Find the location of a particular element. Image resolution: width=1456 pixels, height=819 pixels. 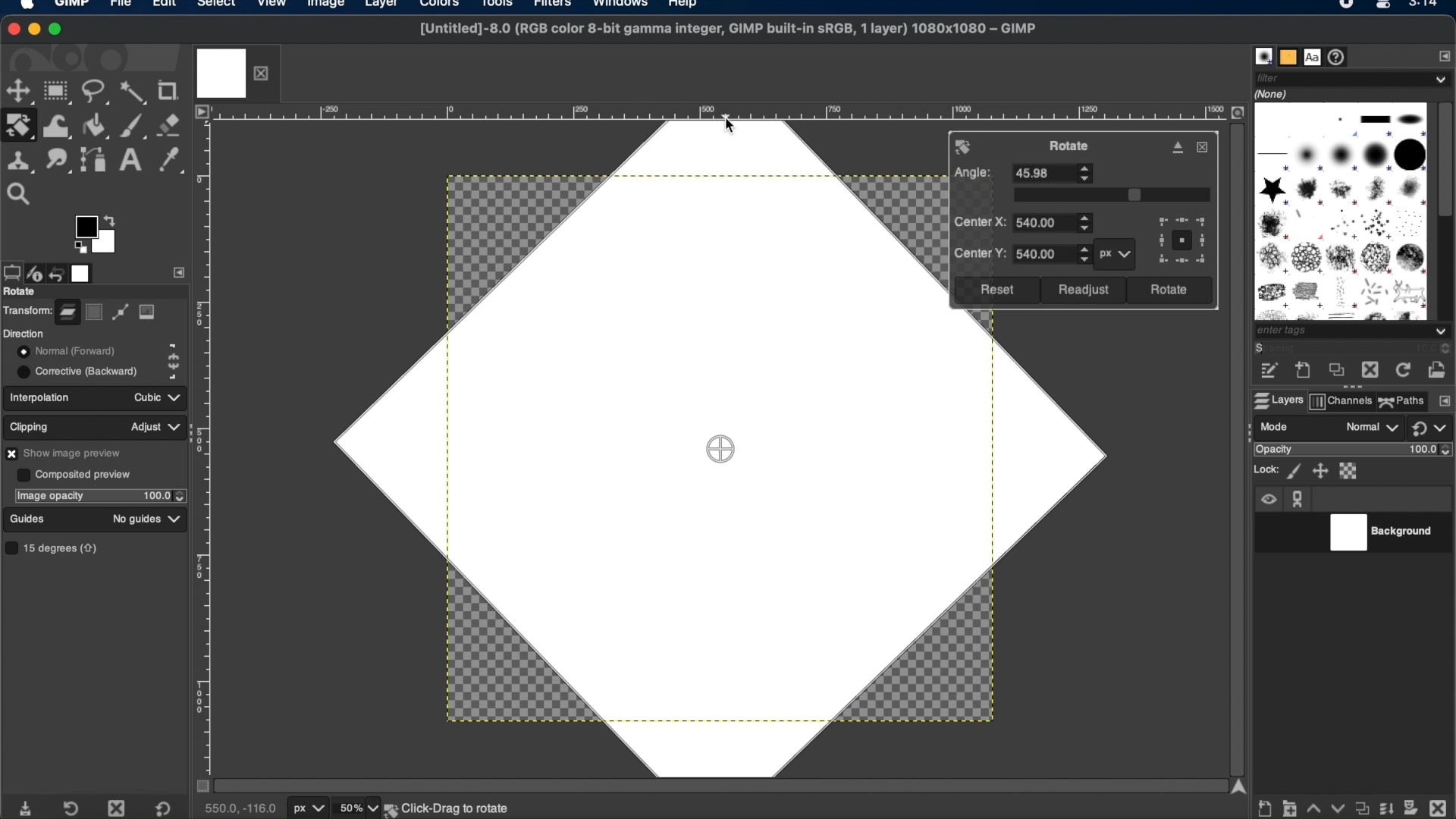

filter dropdown is located at coordinates (1353, 78).